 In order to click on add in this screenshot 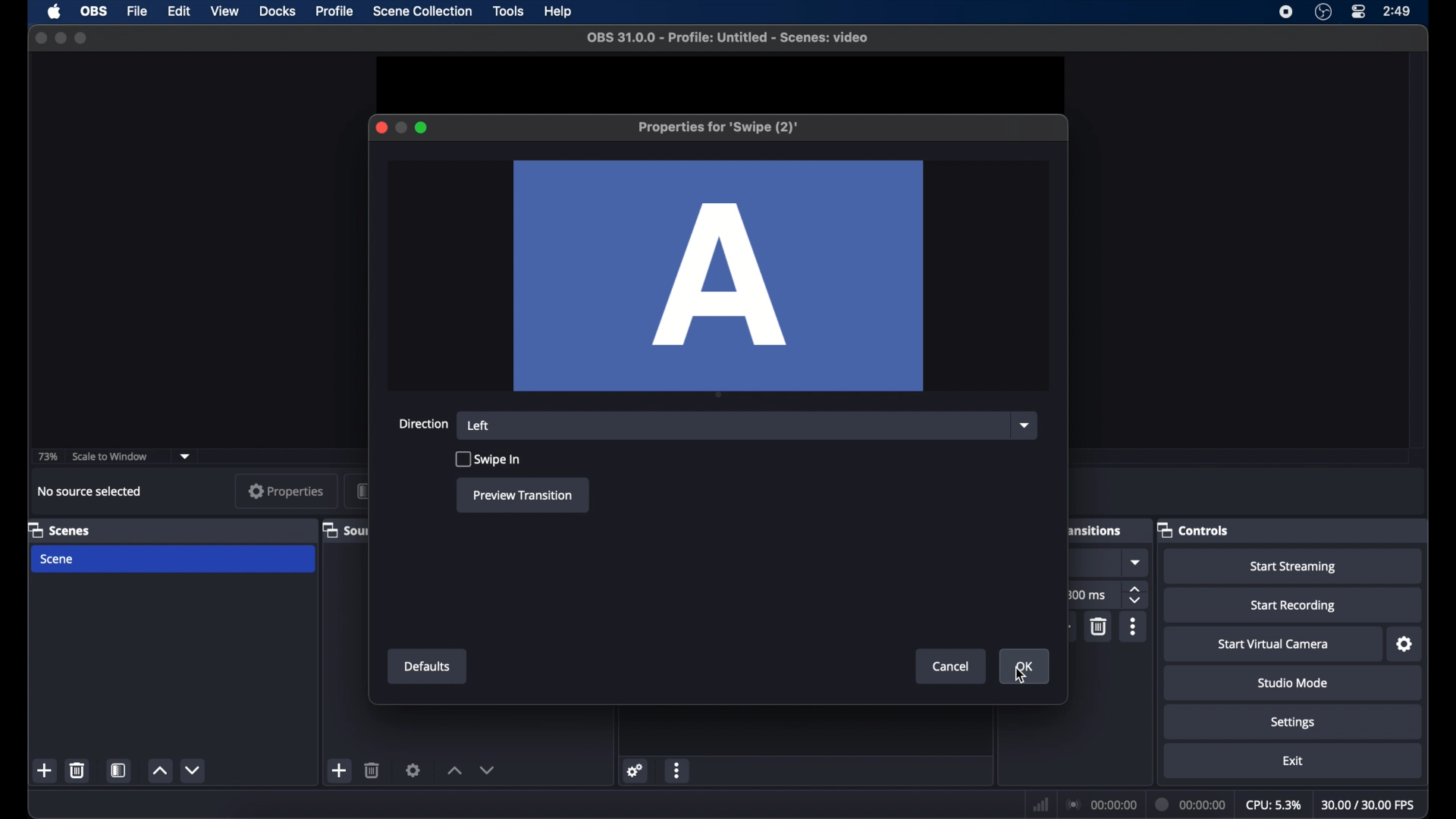, I will do `click(340, 770)`.